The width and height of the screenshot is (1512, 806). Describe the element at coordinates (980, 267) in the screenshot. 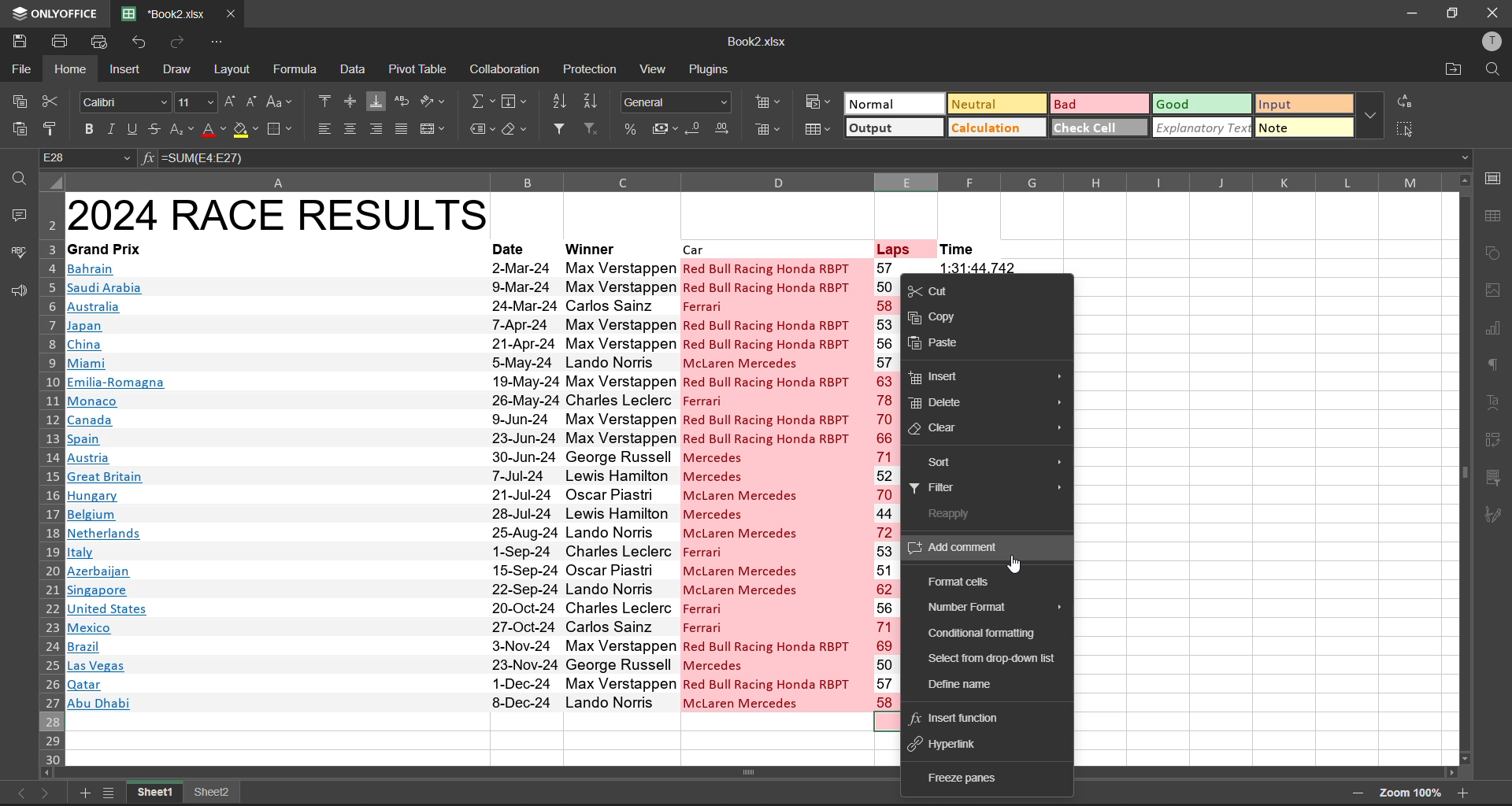

I see `time` at that location.